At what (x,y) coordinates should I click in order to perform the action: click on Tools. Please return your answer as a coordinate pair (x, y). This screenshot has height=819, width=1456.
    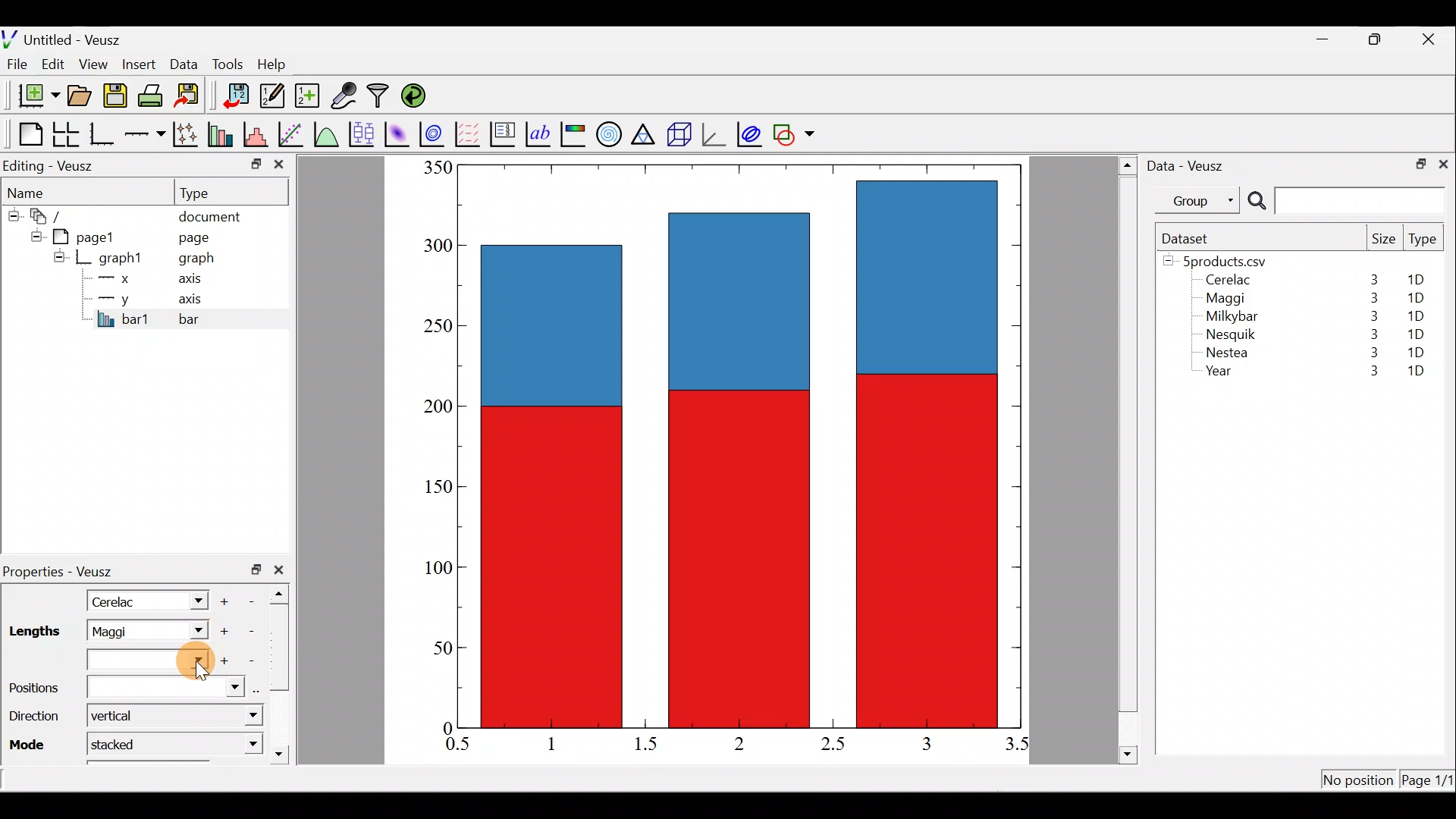
    Looking at the image, I should click on (227, 63).